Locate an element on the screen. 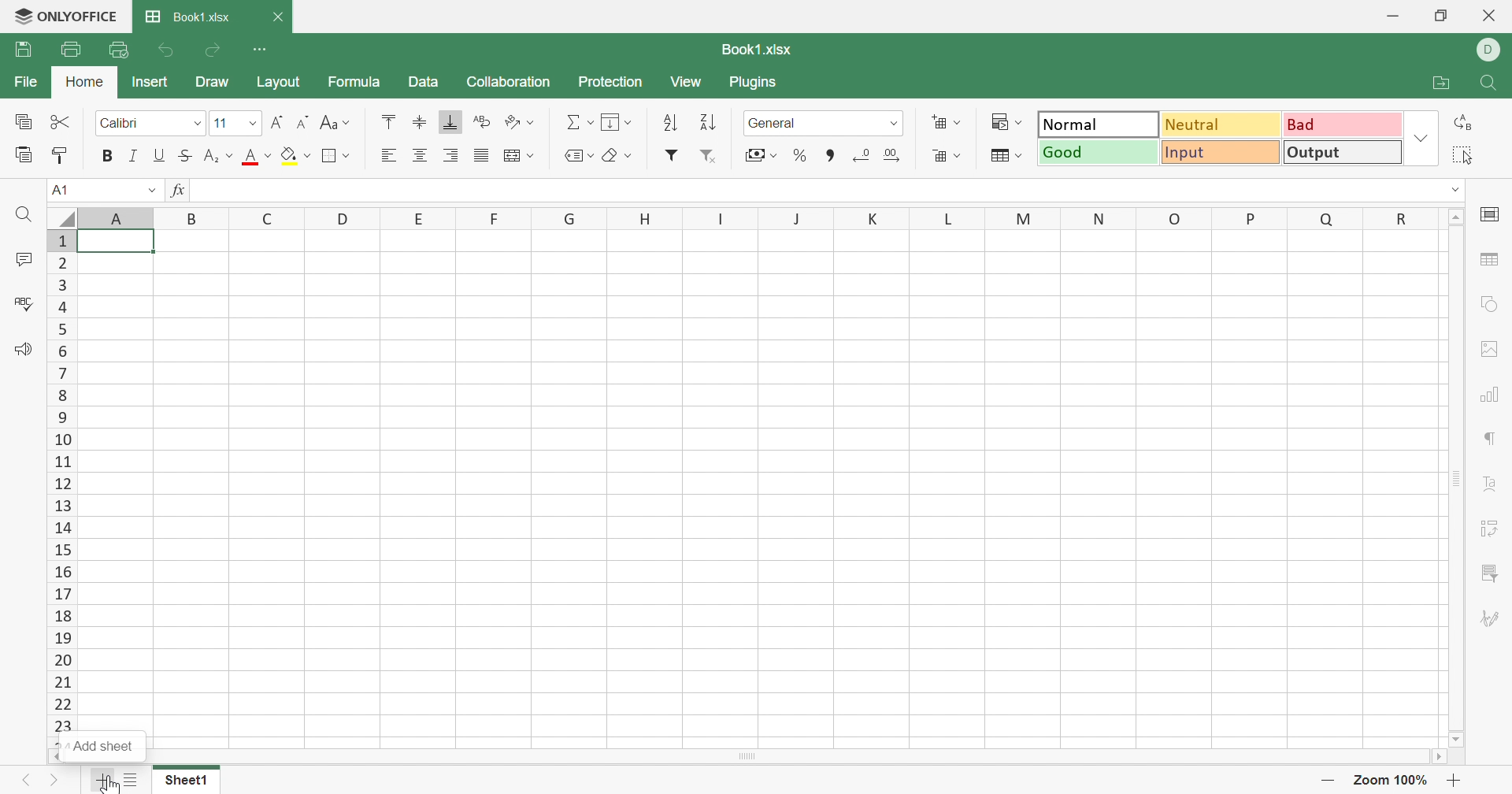  Sort ascending is located at coordinates (669, 124).